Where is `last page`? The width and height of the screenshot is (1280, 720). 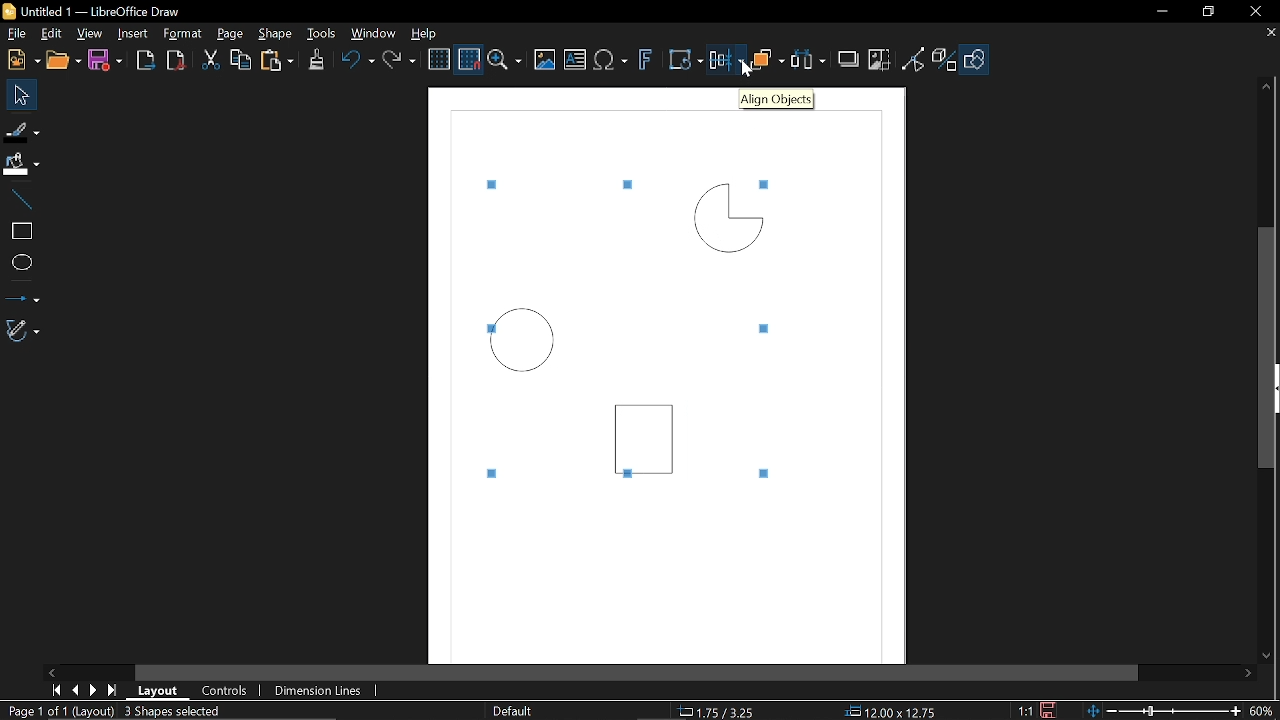 last page is located at coordinates (114, 690).